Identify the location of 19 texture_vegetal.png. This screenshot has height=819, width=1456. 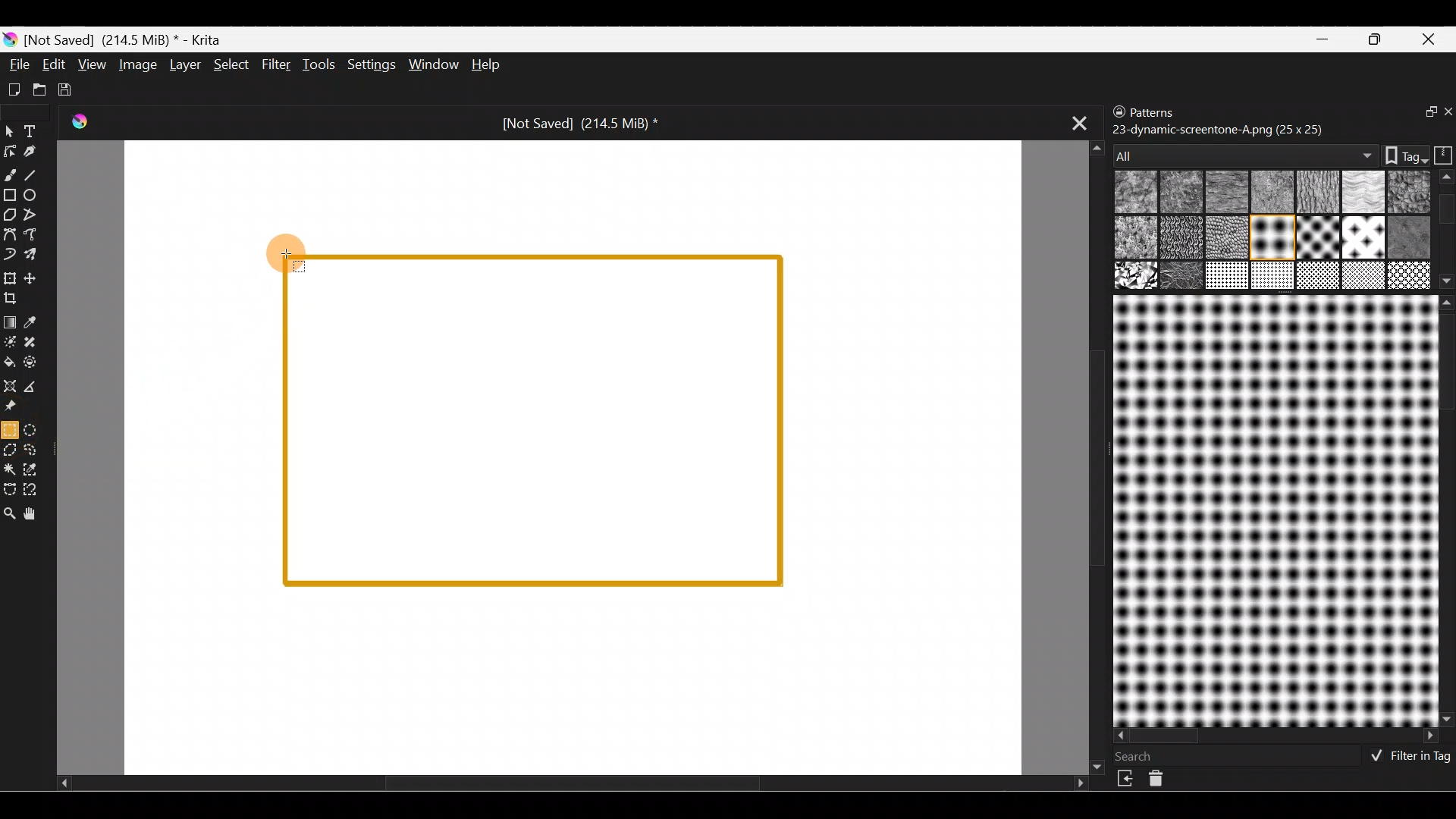
(1407, 273).